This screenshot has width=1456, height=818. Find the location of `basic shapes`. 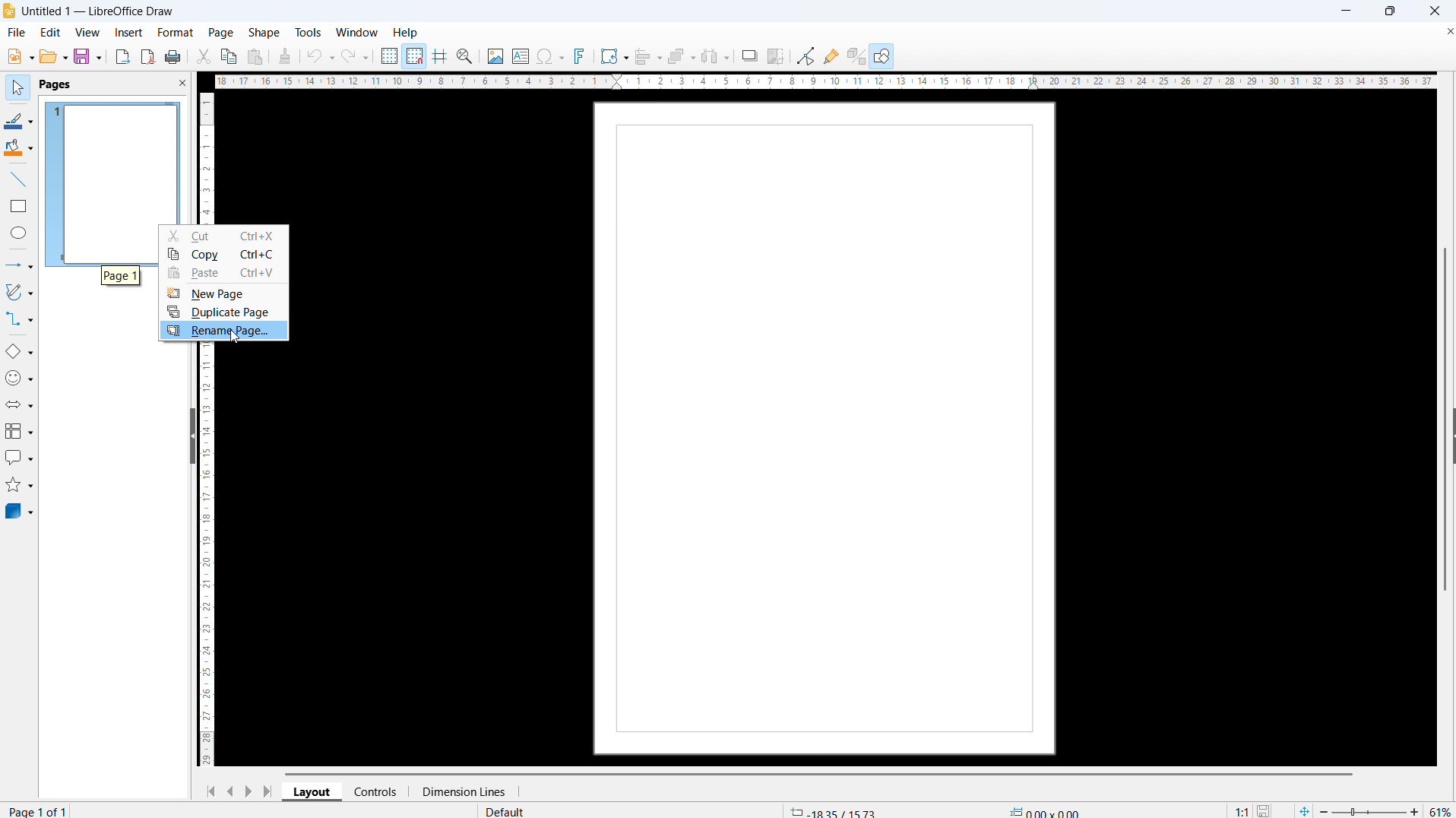

basic shapes is located at coordinates (19, 352).